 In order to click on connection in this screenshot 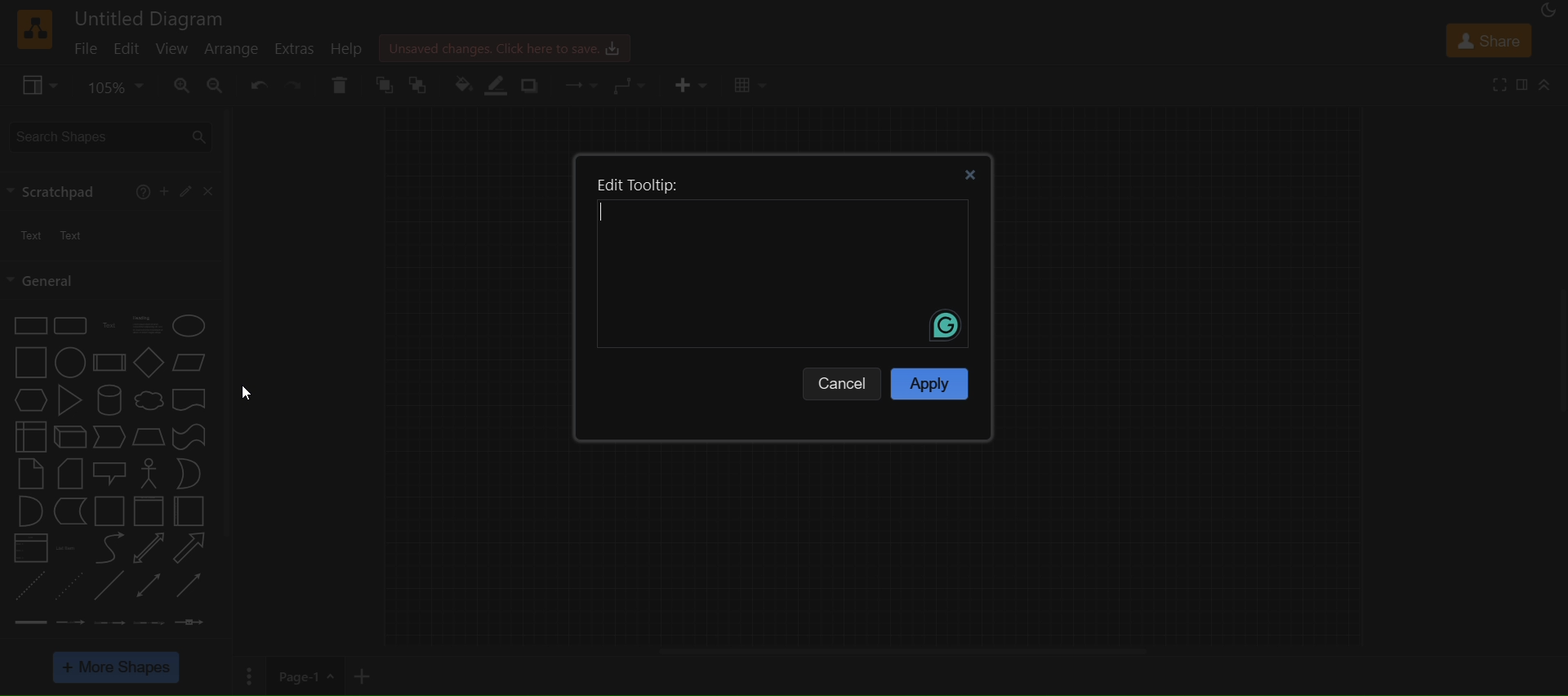, I will do `click(581, 85)`.